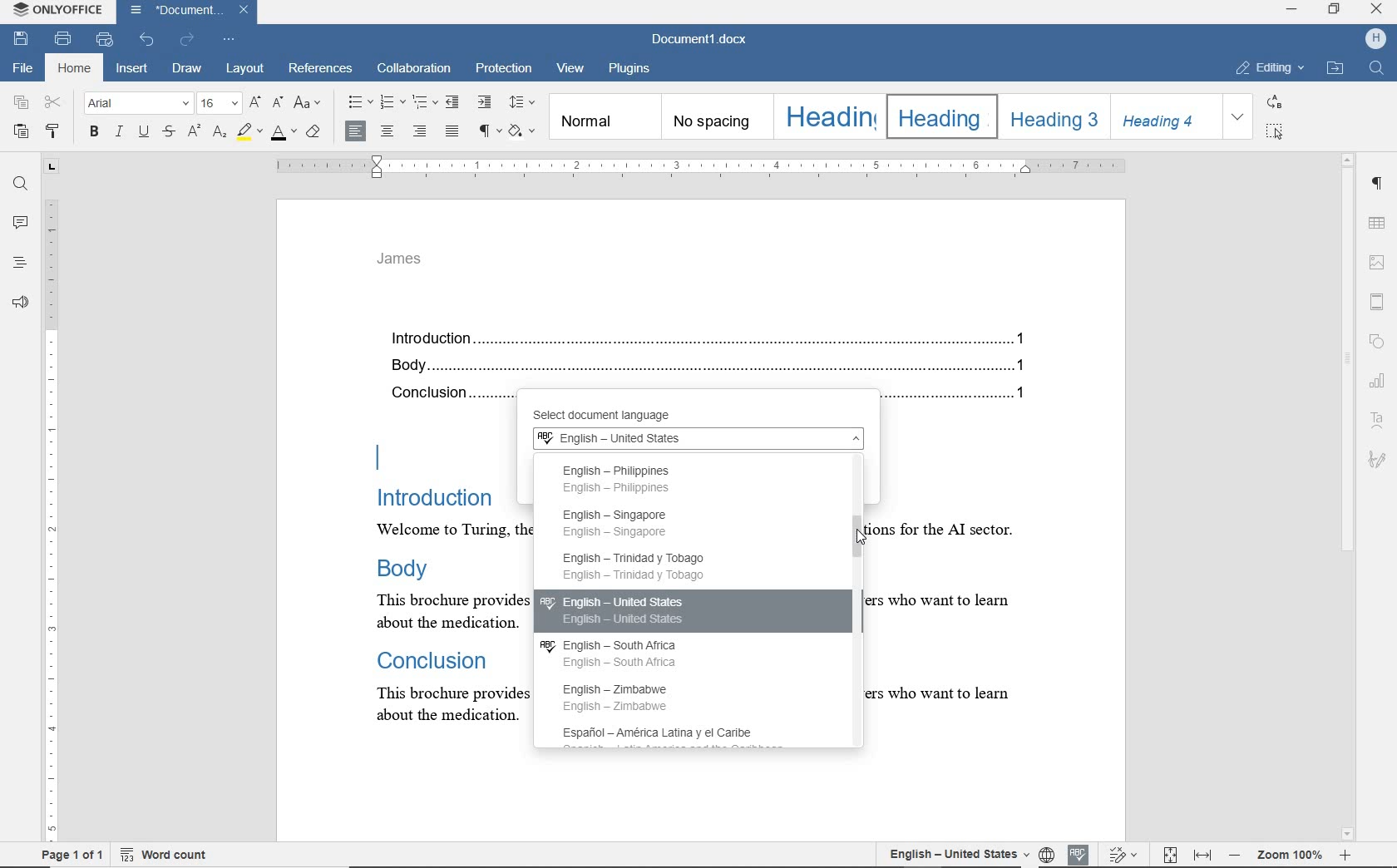 The width and height of the screenshot is (1397, 868). Describe the element at coordinates (254, 103) in the screenshot. I see `increment font size` at that location.